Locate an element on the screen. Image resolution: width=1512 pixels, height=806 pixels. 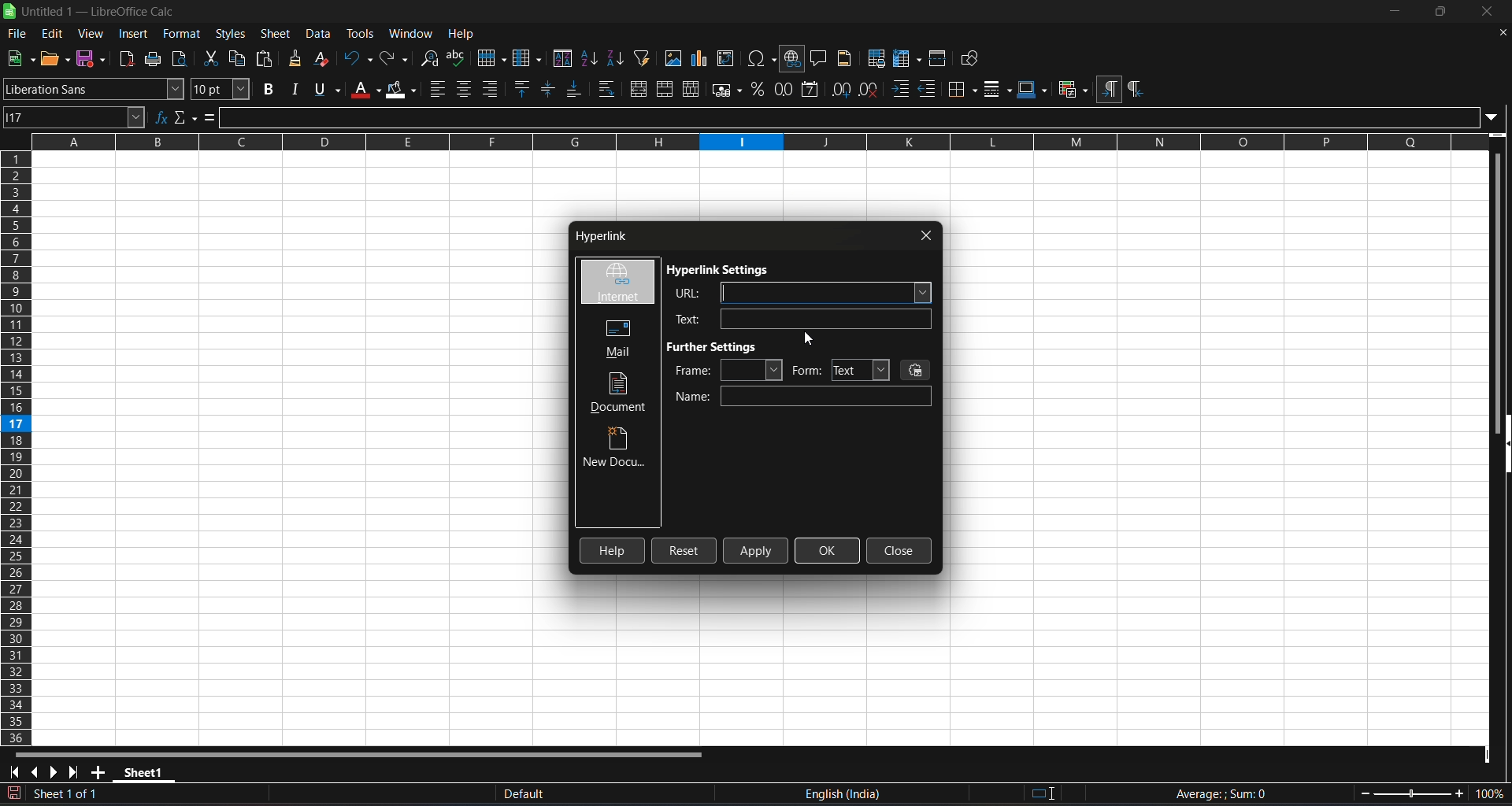
border colors is located at coordinates (1033, 90).